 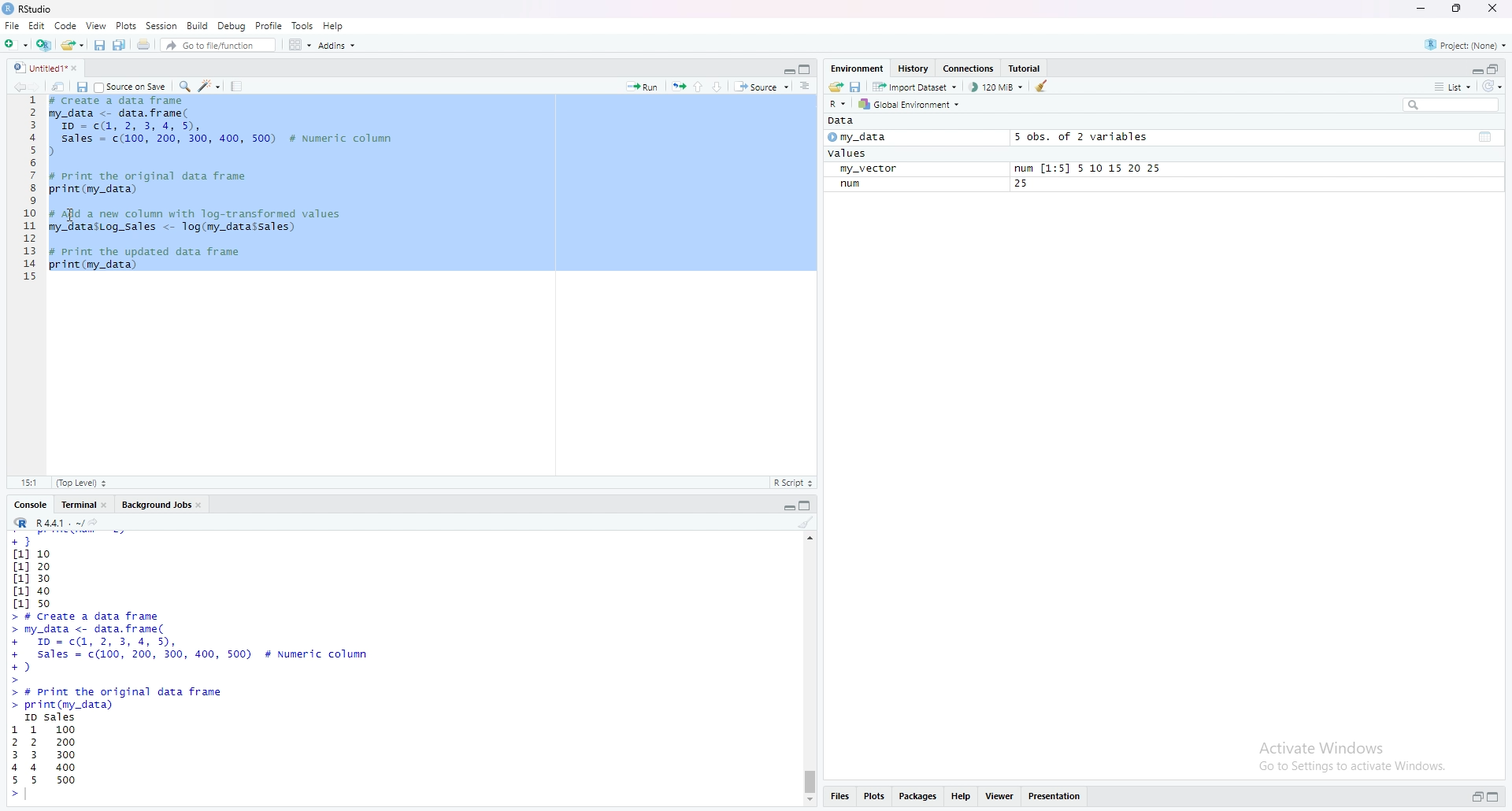 I want to click on serial number, so click(x=26, y=194).